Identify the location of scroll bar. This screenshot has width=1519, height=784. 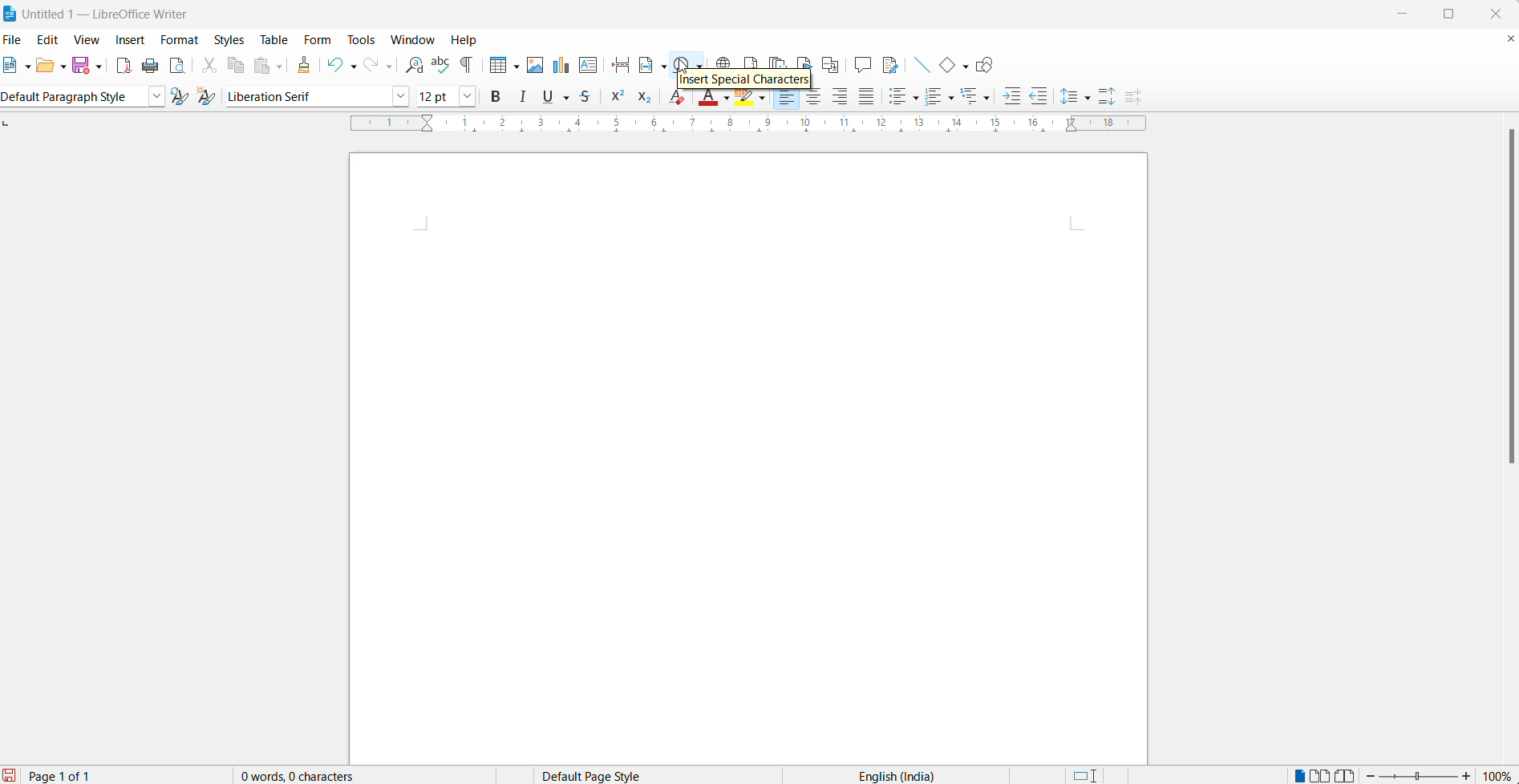
(1509, 302).